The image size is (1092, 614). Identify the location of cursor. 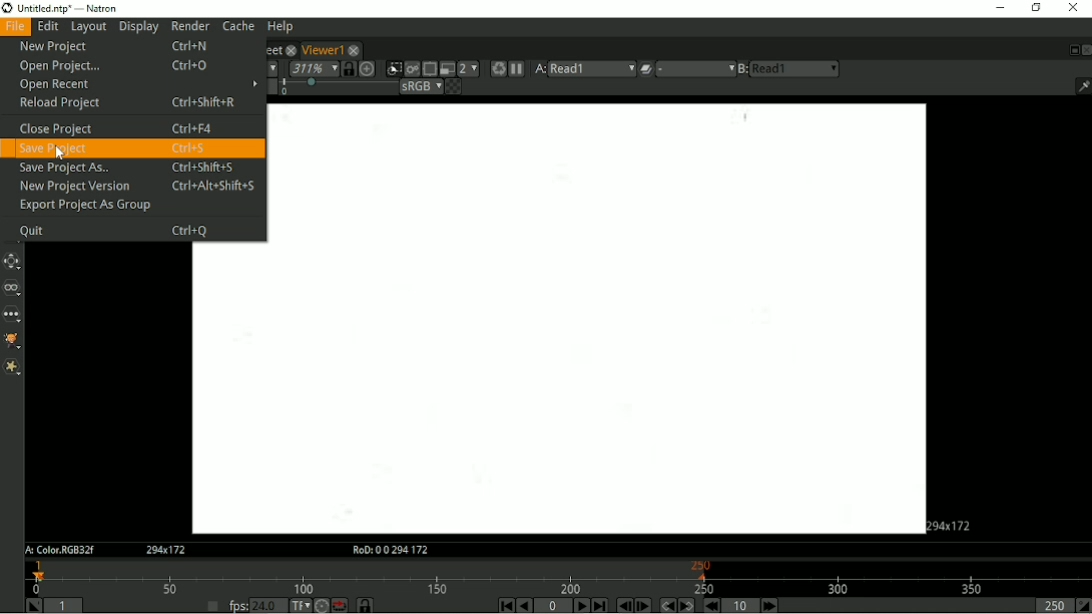
(61, 152).